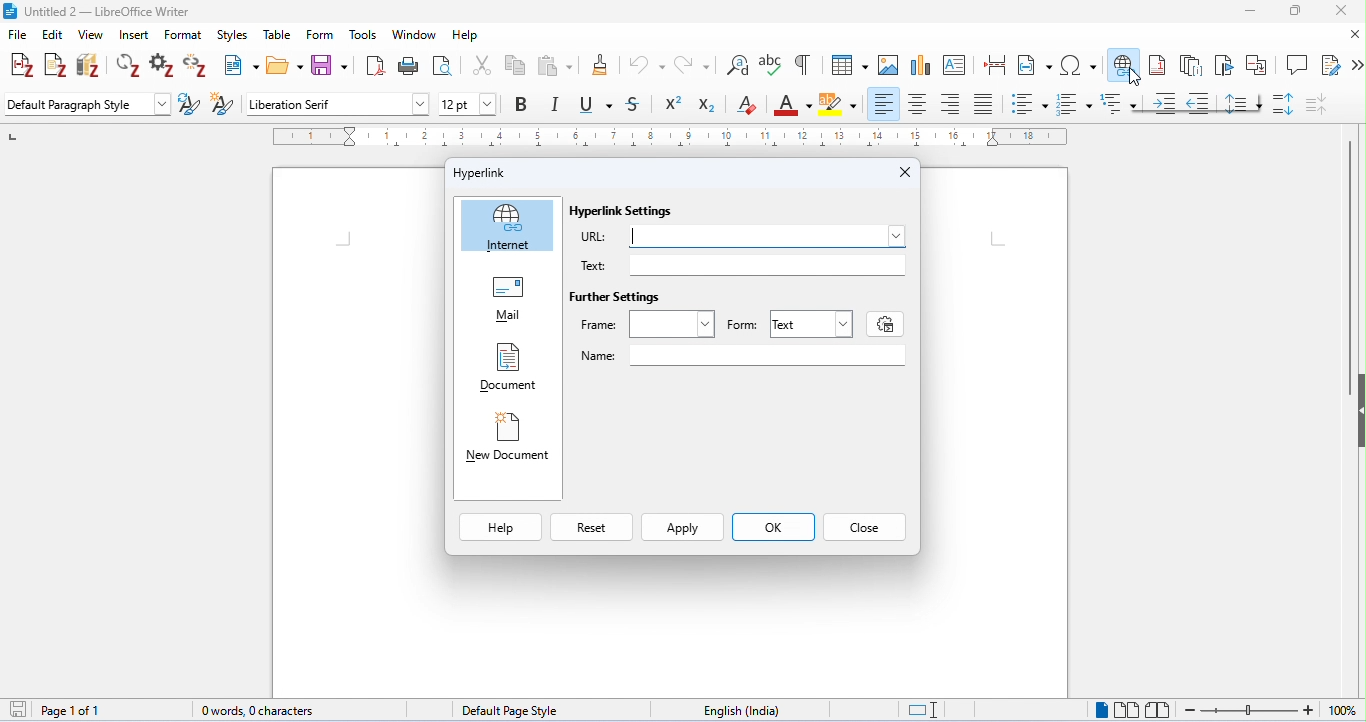  Describe the element at coordinates (686, 527) in the screenshot. I see `Apply` at that location.